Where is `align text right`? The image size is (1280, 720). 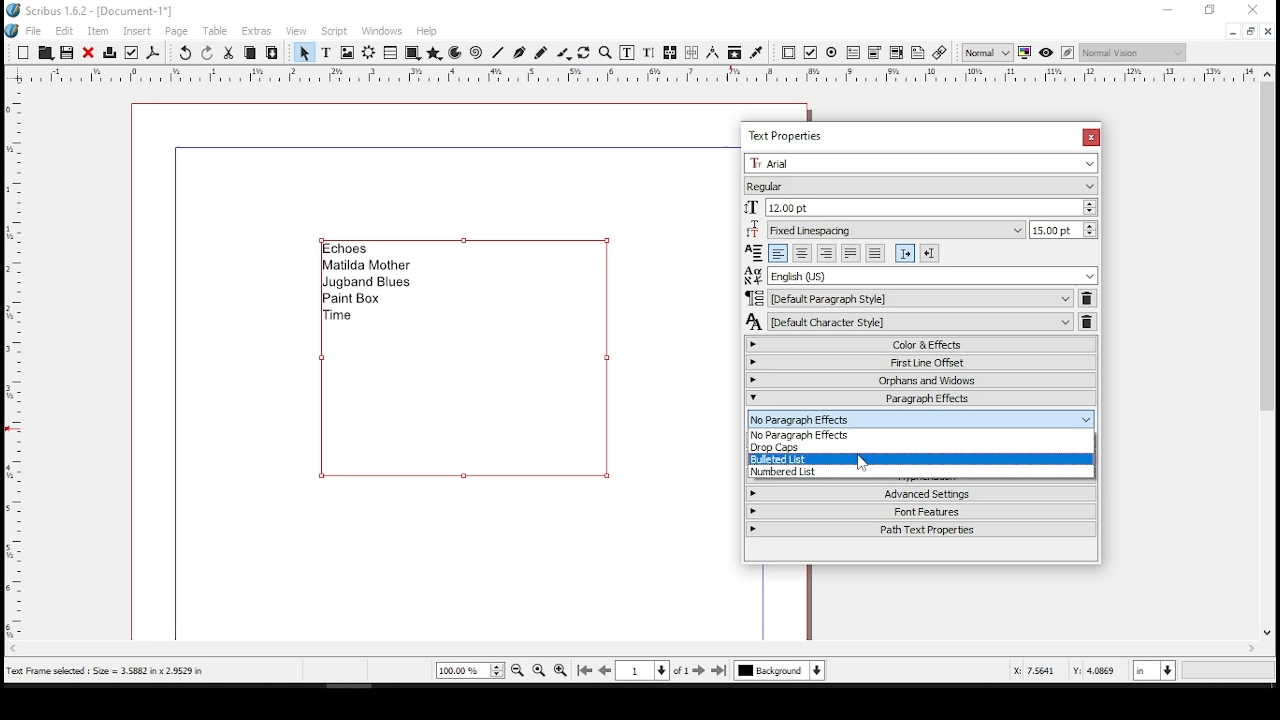 align text right is located at coordinates (826, 253).